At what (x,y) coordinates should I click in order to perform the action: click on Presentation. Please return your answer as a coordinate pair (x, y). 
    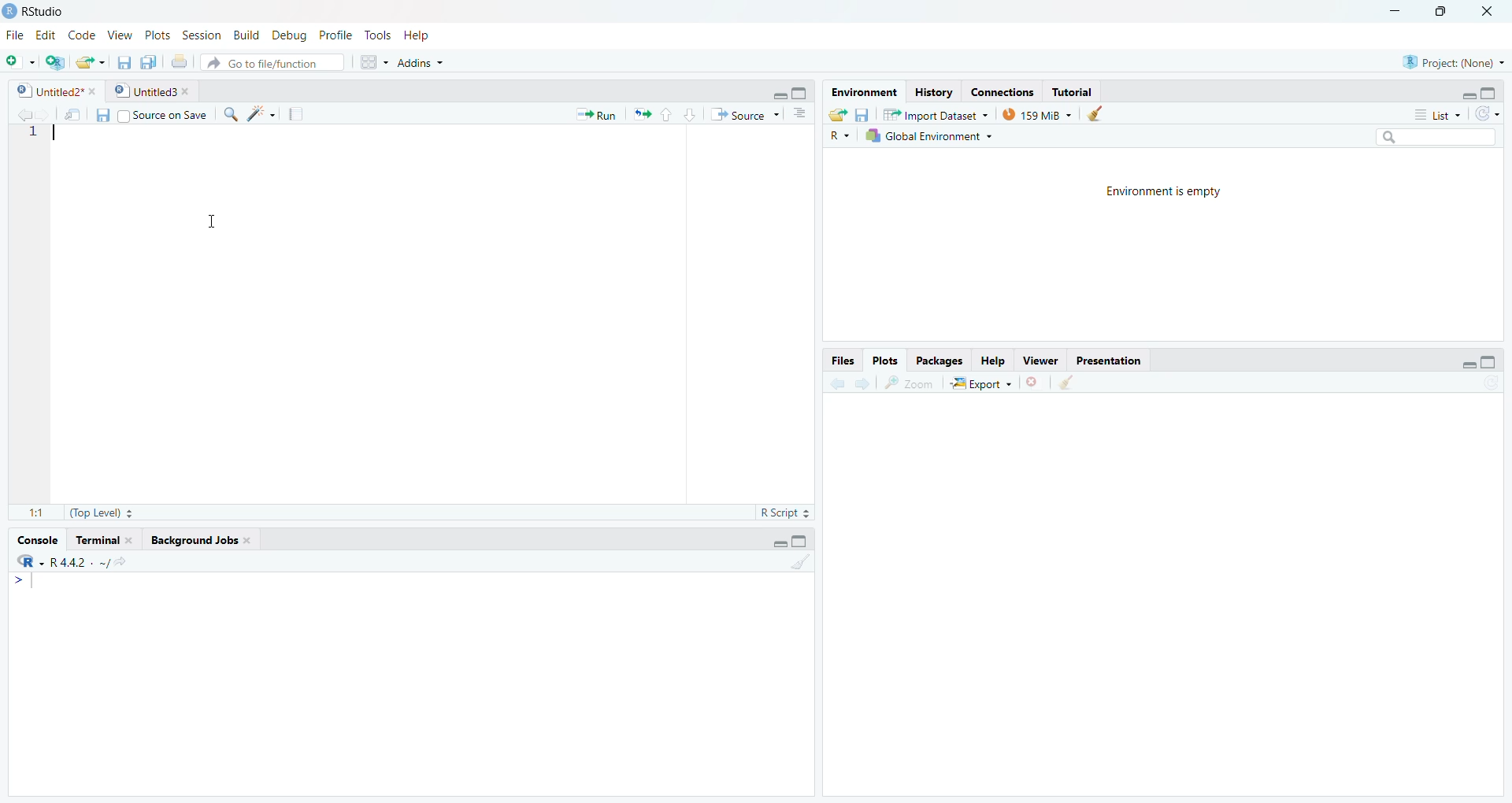
    Looking at the image, I should click on (1107, 361).